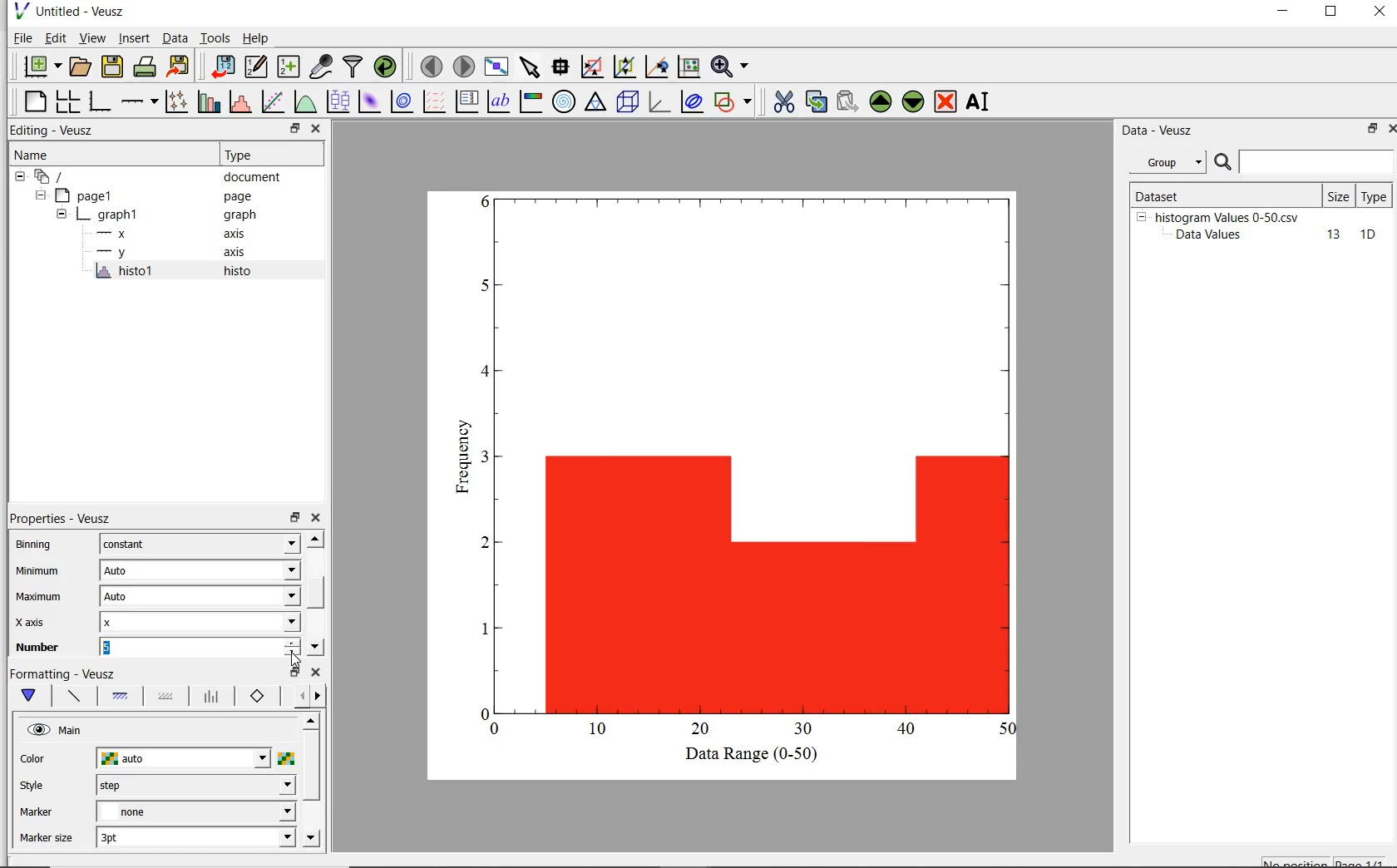 This screenshot has width=1397, height=868. What do you see at coordinates (253, 179) in the screenshot?
I see `document` at bounding box center [253, 179].